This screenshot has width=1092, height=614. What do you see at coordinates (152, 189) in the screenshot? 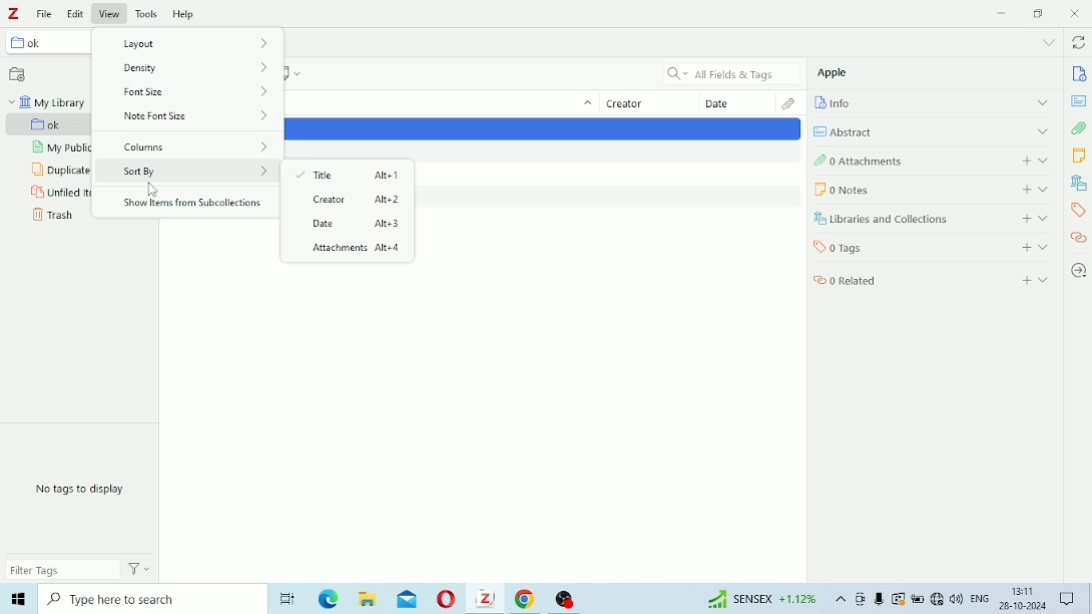
I see `Cursor` at bounding box center [152, 189].